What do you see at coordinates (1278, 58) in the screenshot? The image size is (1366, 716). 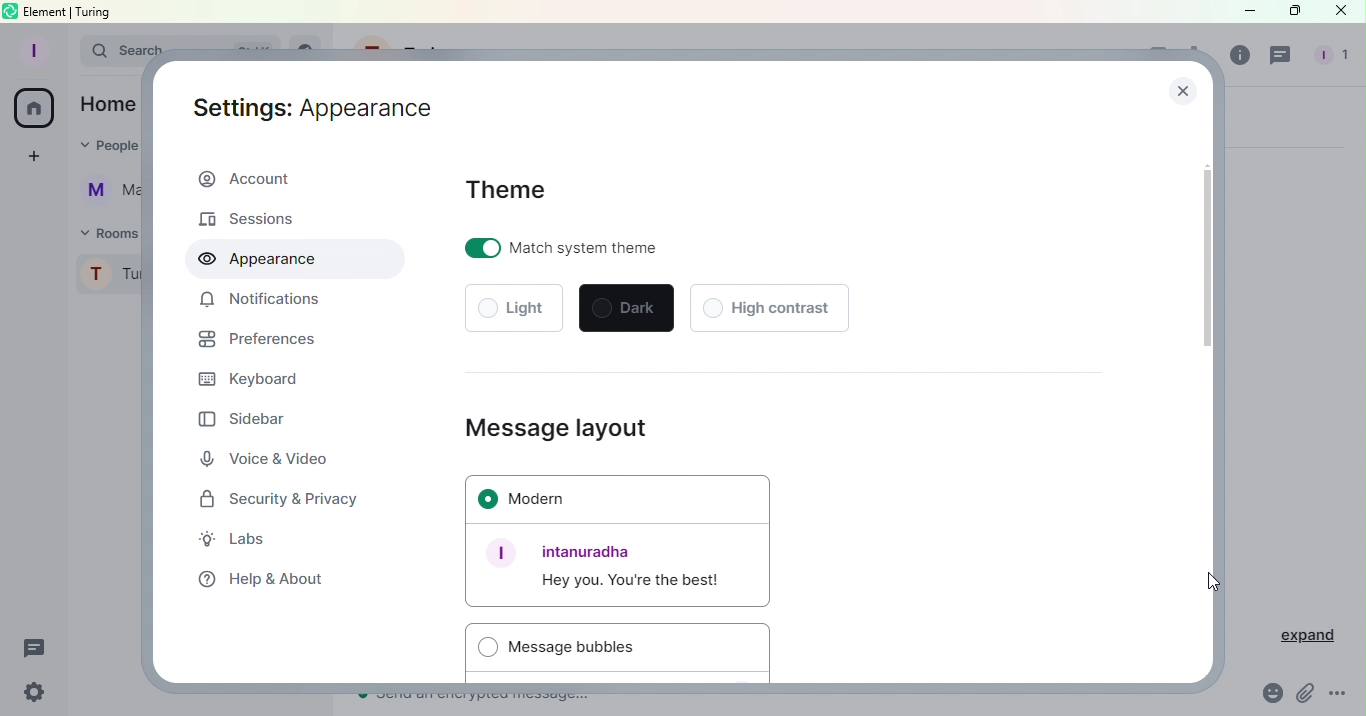 I see `Threads` at bounding box center [1278, 58].